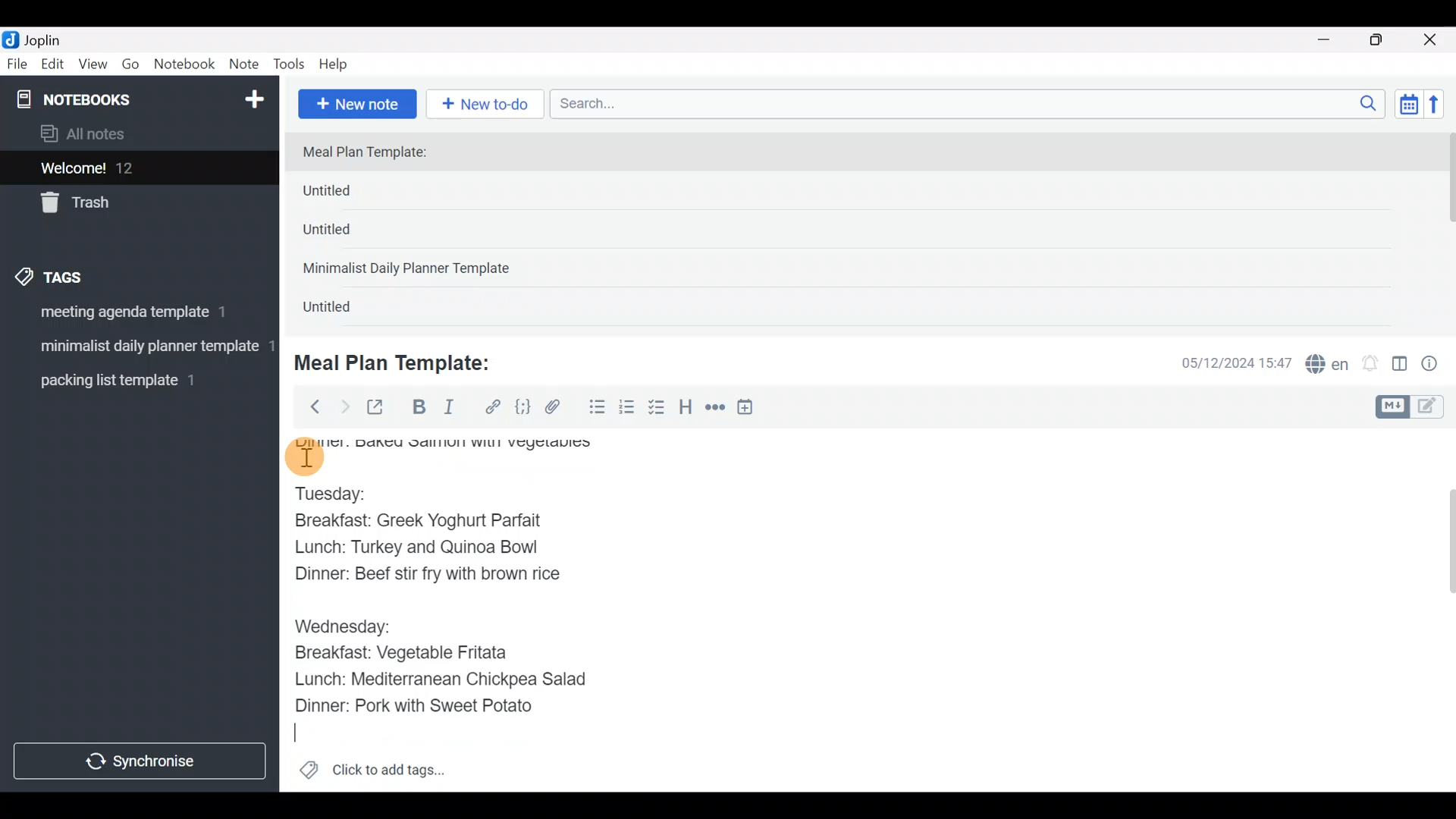  What do you see at coordinates (752, 409) in the screenshot?
I see `Insert time` at bounding box center [752, 409].